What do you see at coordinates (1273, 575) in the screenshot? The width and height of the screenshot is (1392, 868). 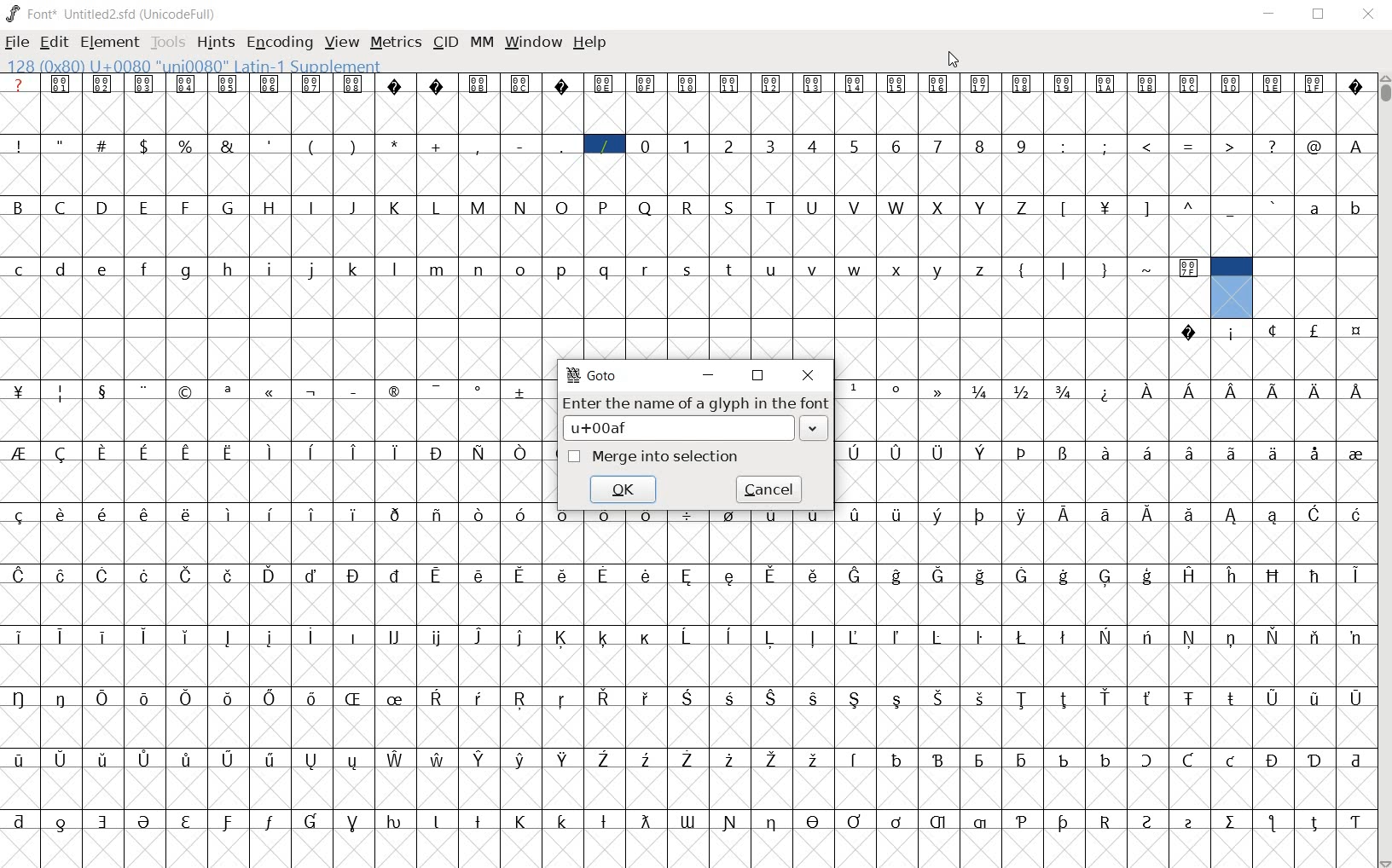 I see `Symbol` at bounding box center [1273, 575].